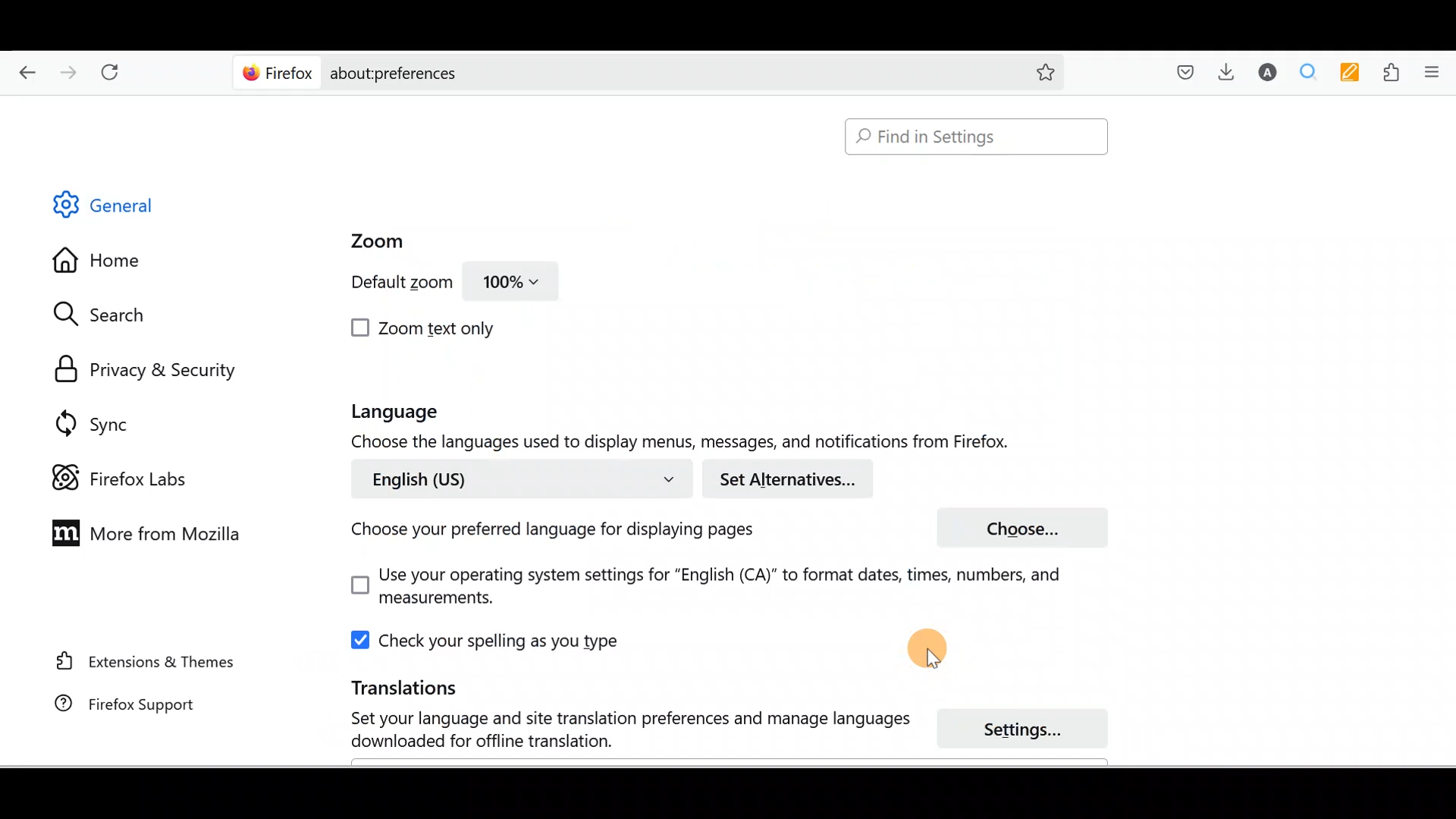 The image size is (1456, 819). Describe the element at coordinates (115, 704) in the screenshot. I see `Firefox support` at that location.